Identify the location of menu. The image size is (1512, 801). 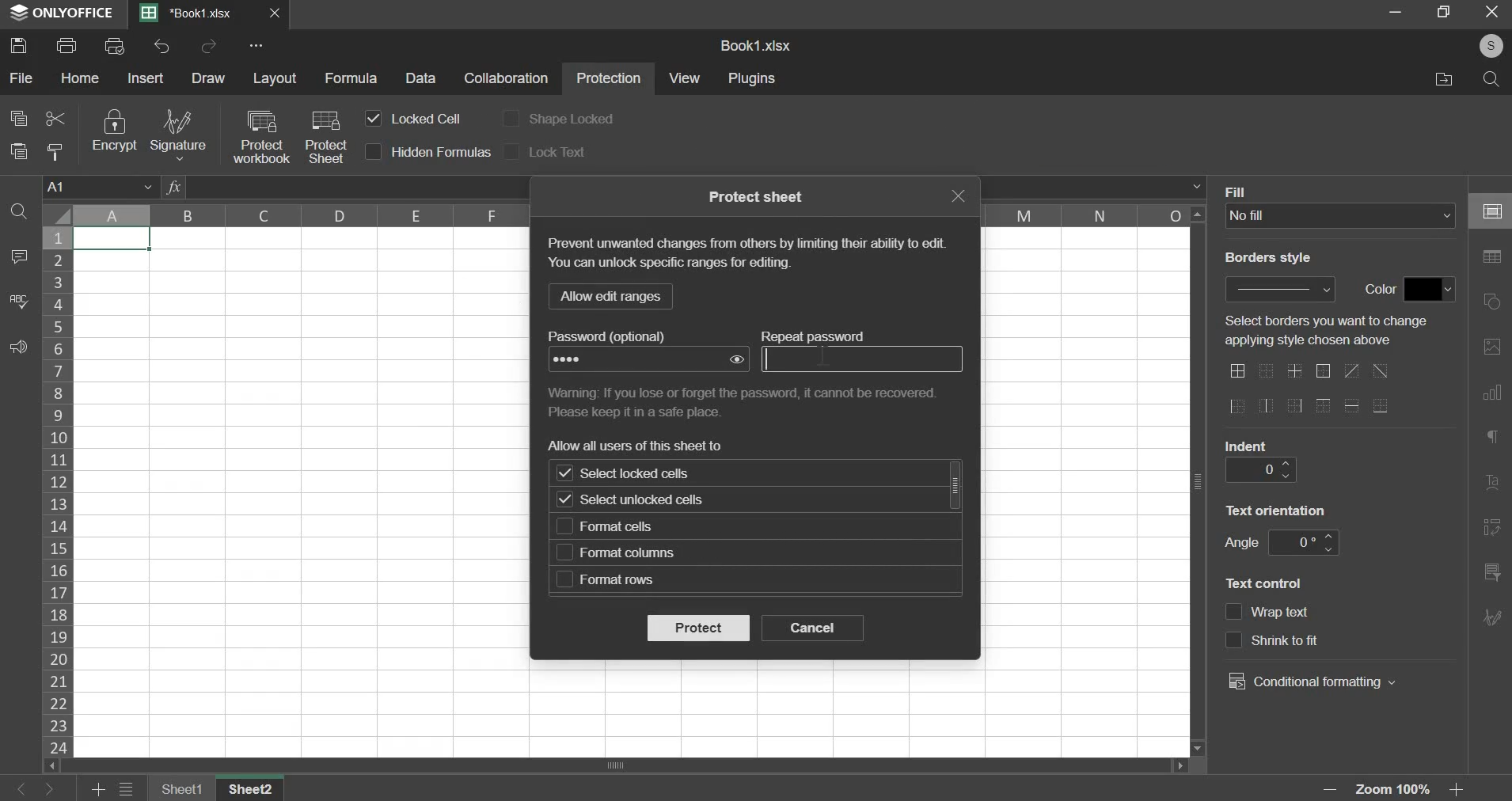
(127, 790).